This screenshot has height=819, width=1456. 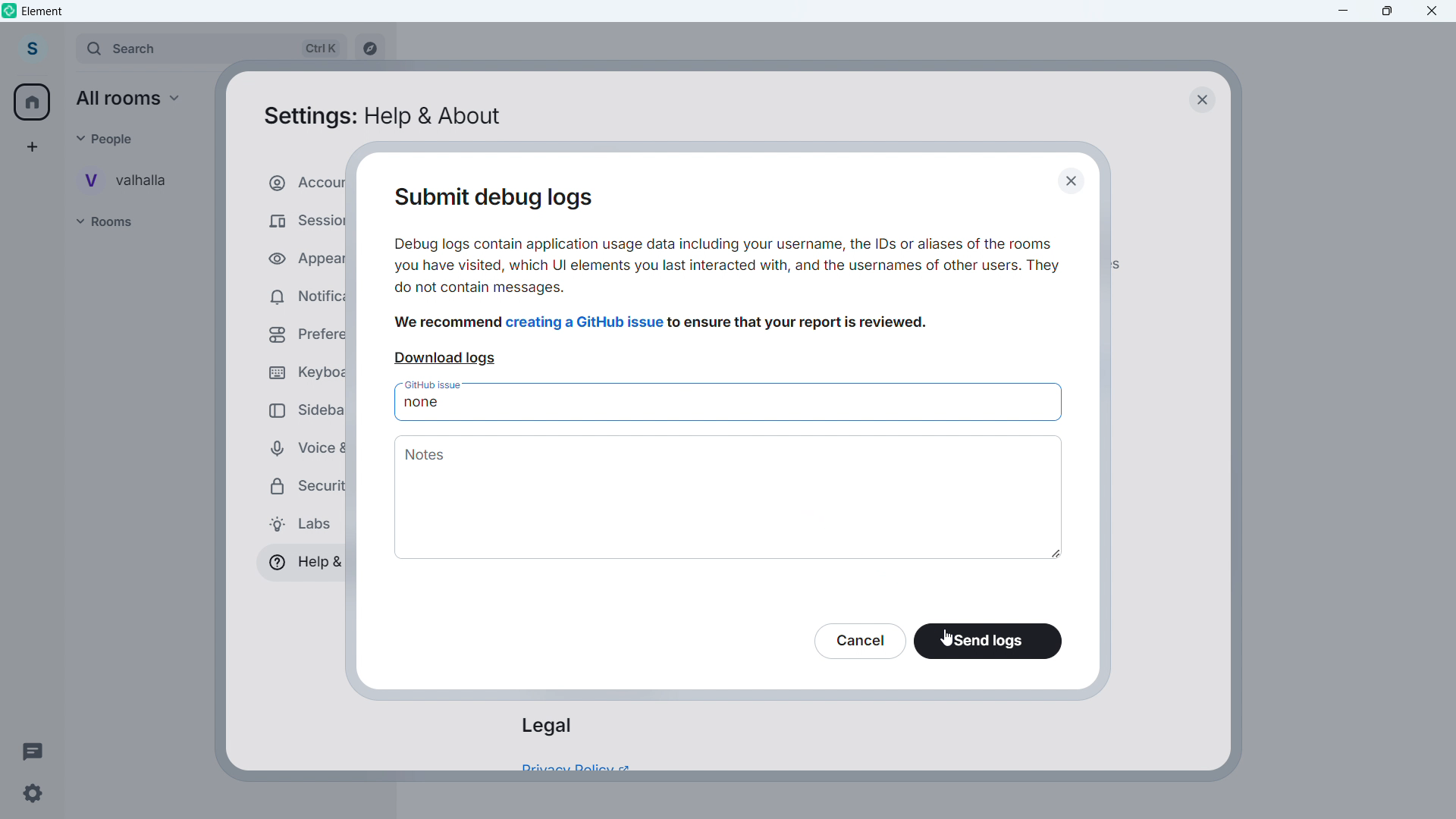 I want to click on to ensure that your report is reviewed., so click(x=800, y=324).